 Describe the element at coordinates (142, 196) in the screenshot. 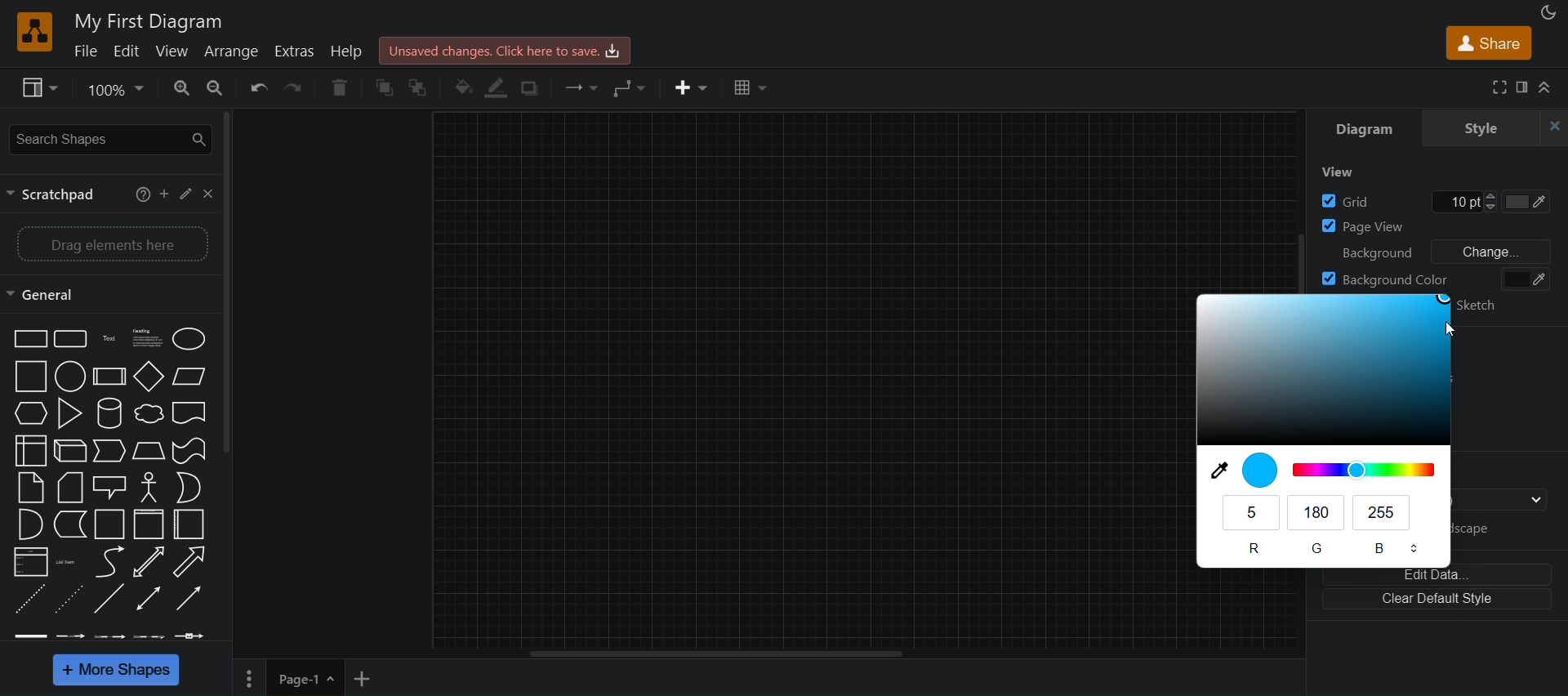

I see `help` at that location.